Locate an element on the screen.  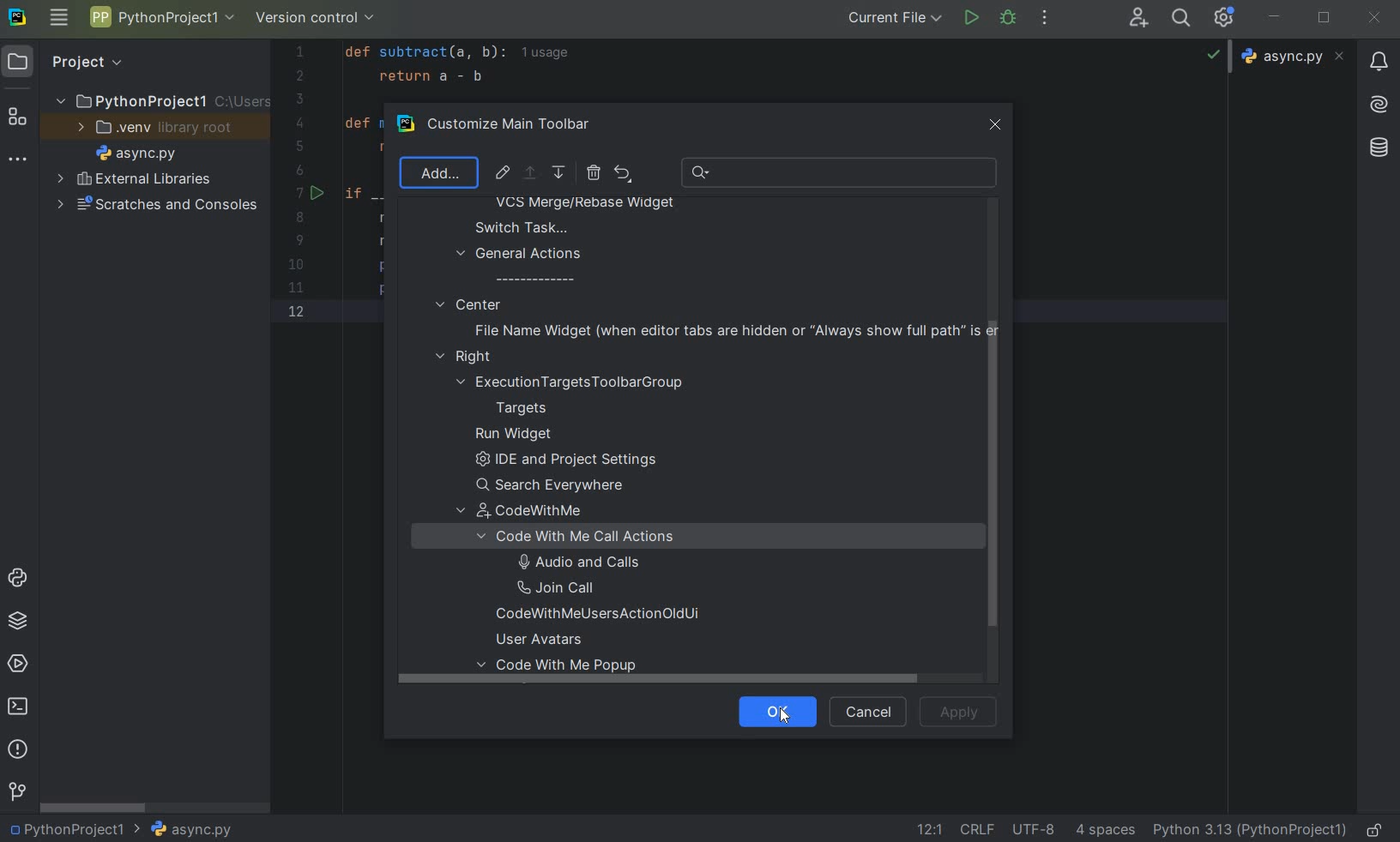
PROJECT NAME is located at coordinates (160, 99).